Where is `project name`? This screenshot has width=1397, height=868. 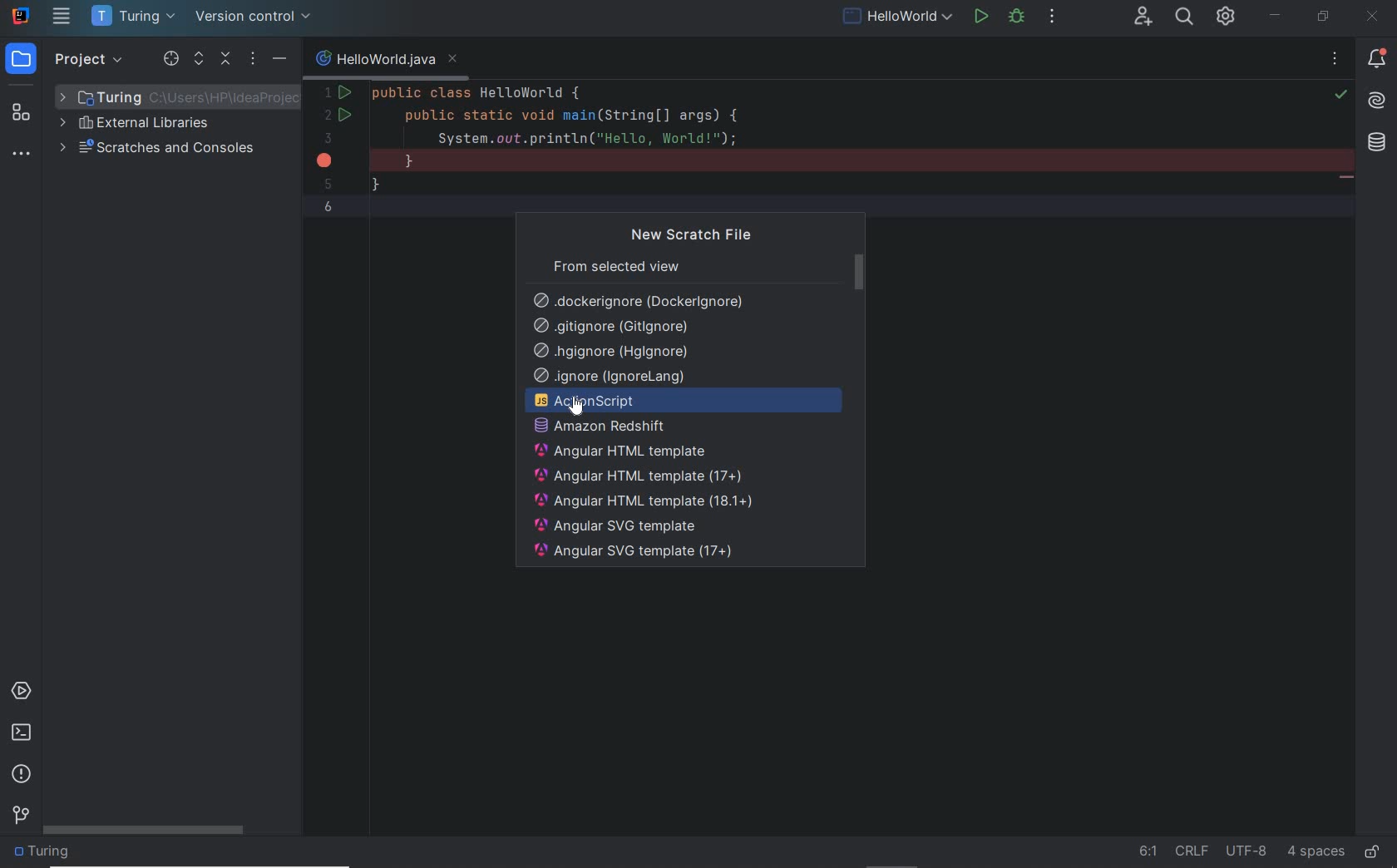
project name is located at coordinates (134, 17).